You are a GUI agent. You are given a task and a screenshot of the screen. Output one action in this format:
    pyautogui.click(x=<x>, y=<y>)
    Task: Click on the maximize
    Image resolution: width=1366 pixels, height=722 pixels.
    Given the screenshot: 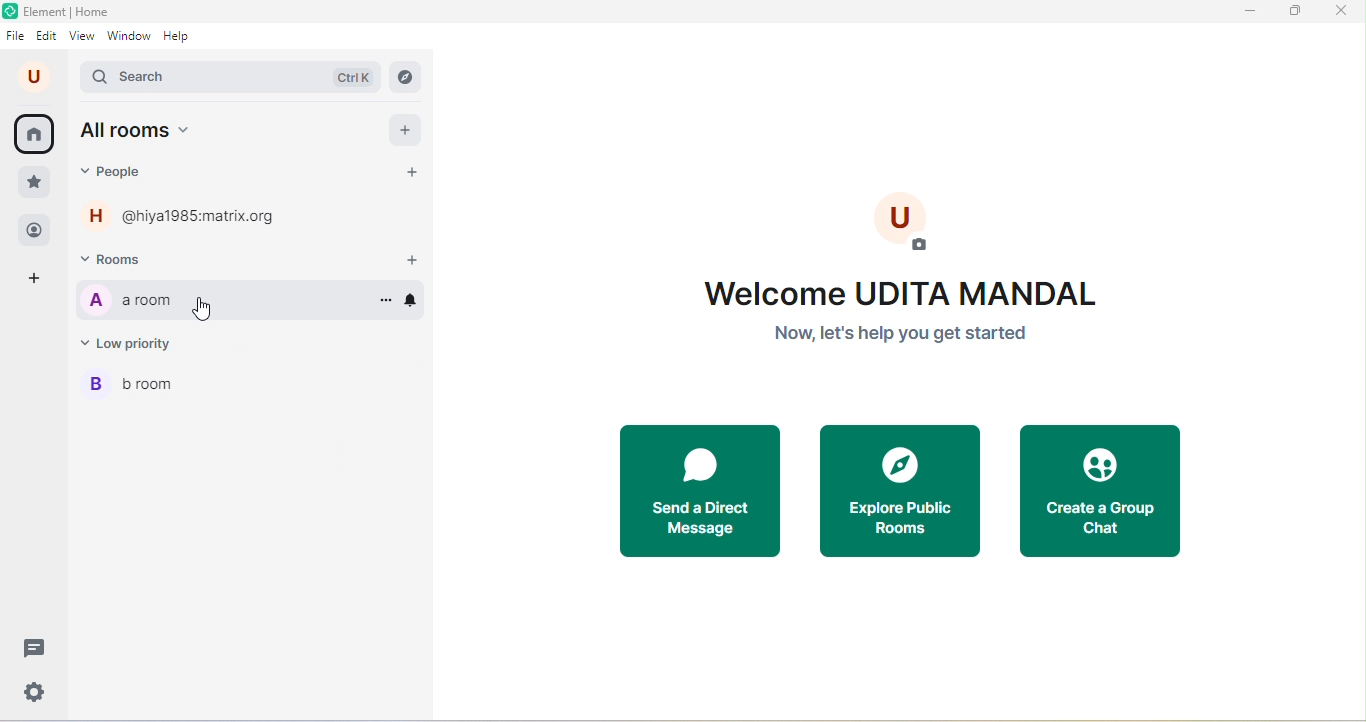 What is the action you would take?
    pyautogui.click(x=1290, y=11)
    